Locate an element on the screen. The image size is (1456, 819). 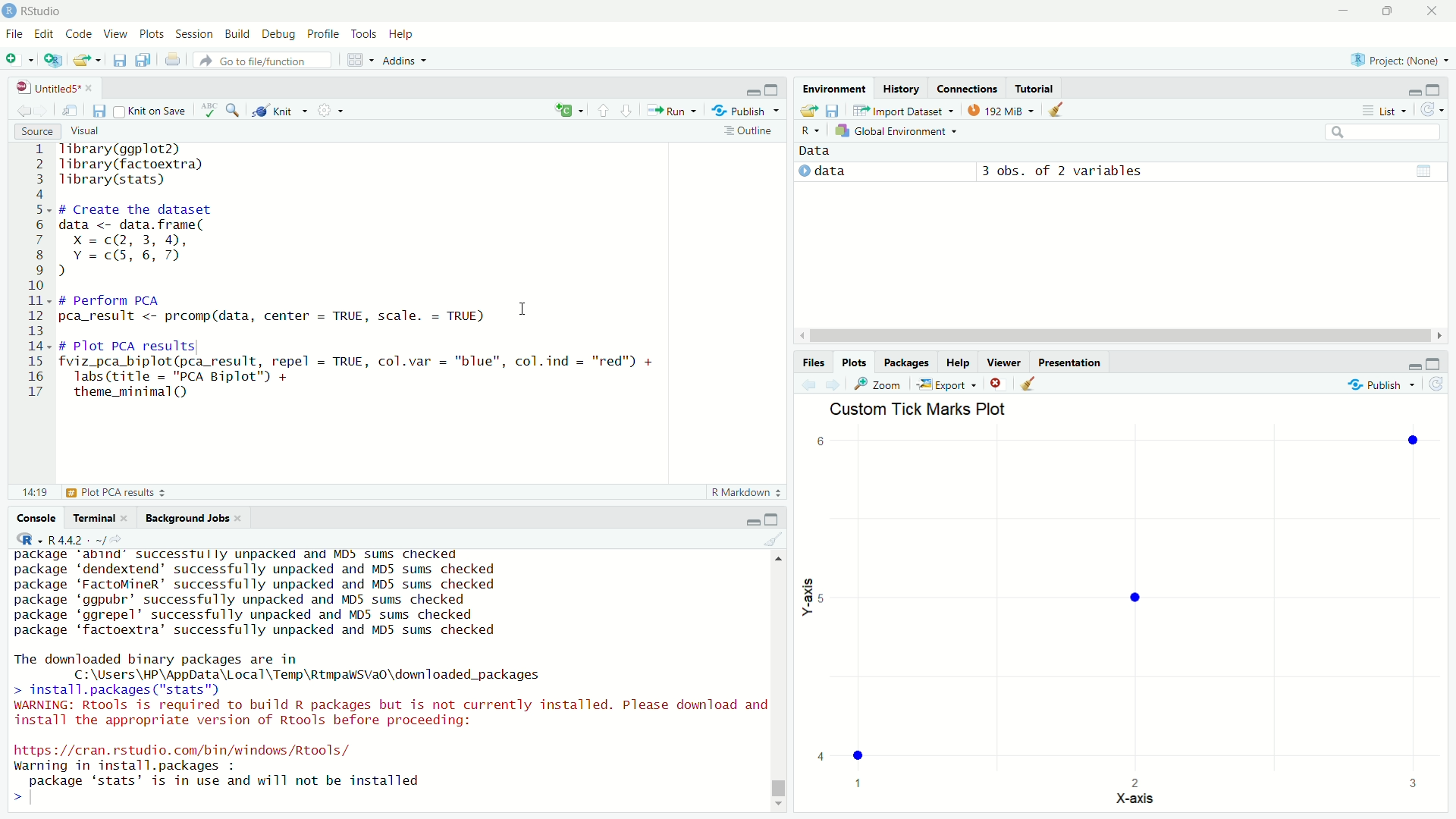
Edit is located at coordinates (45, 35).